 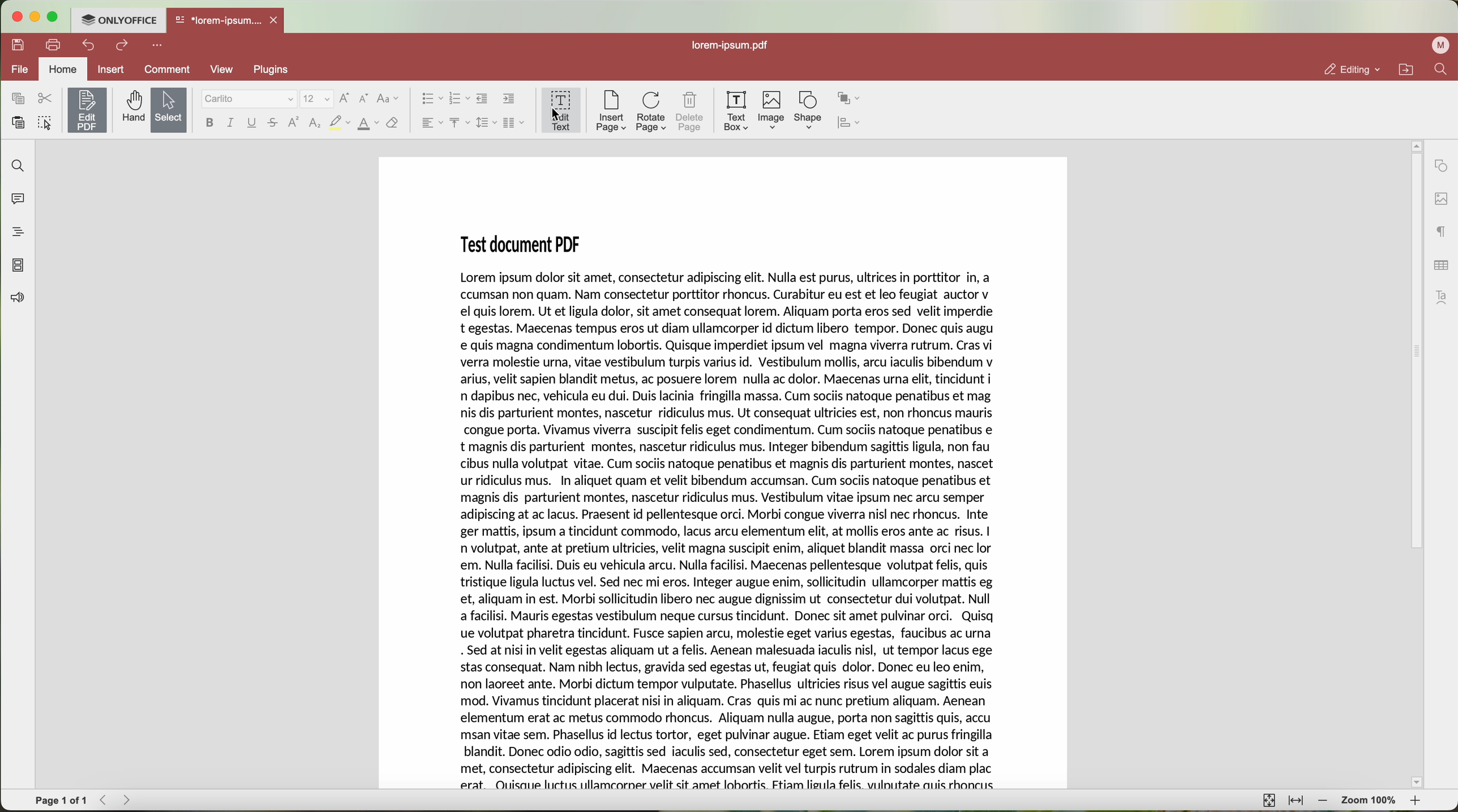 I want to click on more, so click(x=157, y=46).